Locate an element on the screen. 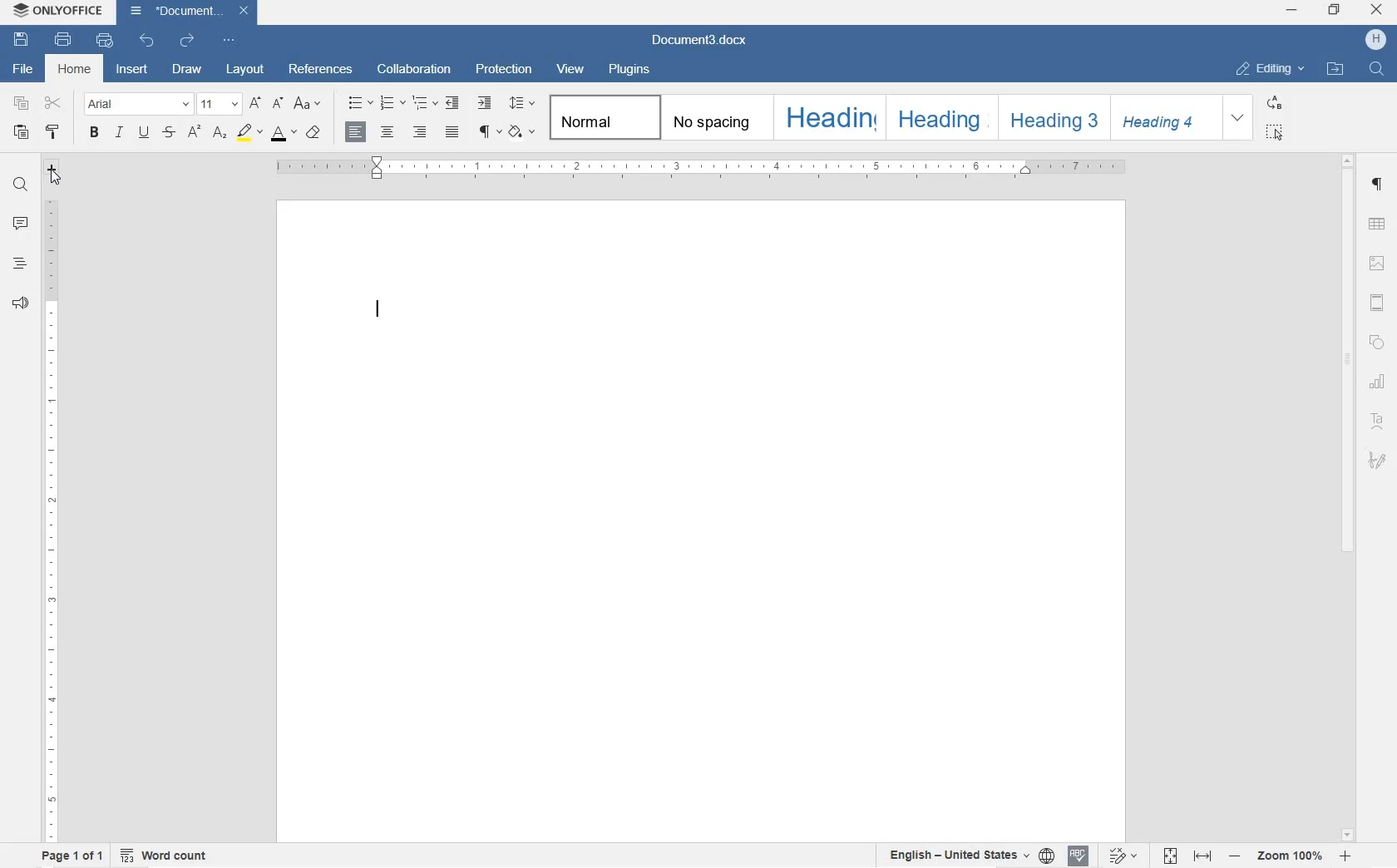 The image size is (1397, 868). EDITING is located at coordinates (1269, 68).